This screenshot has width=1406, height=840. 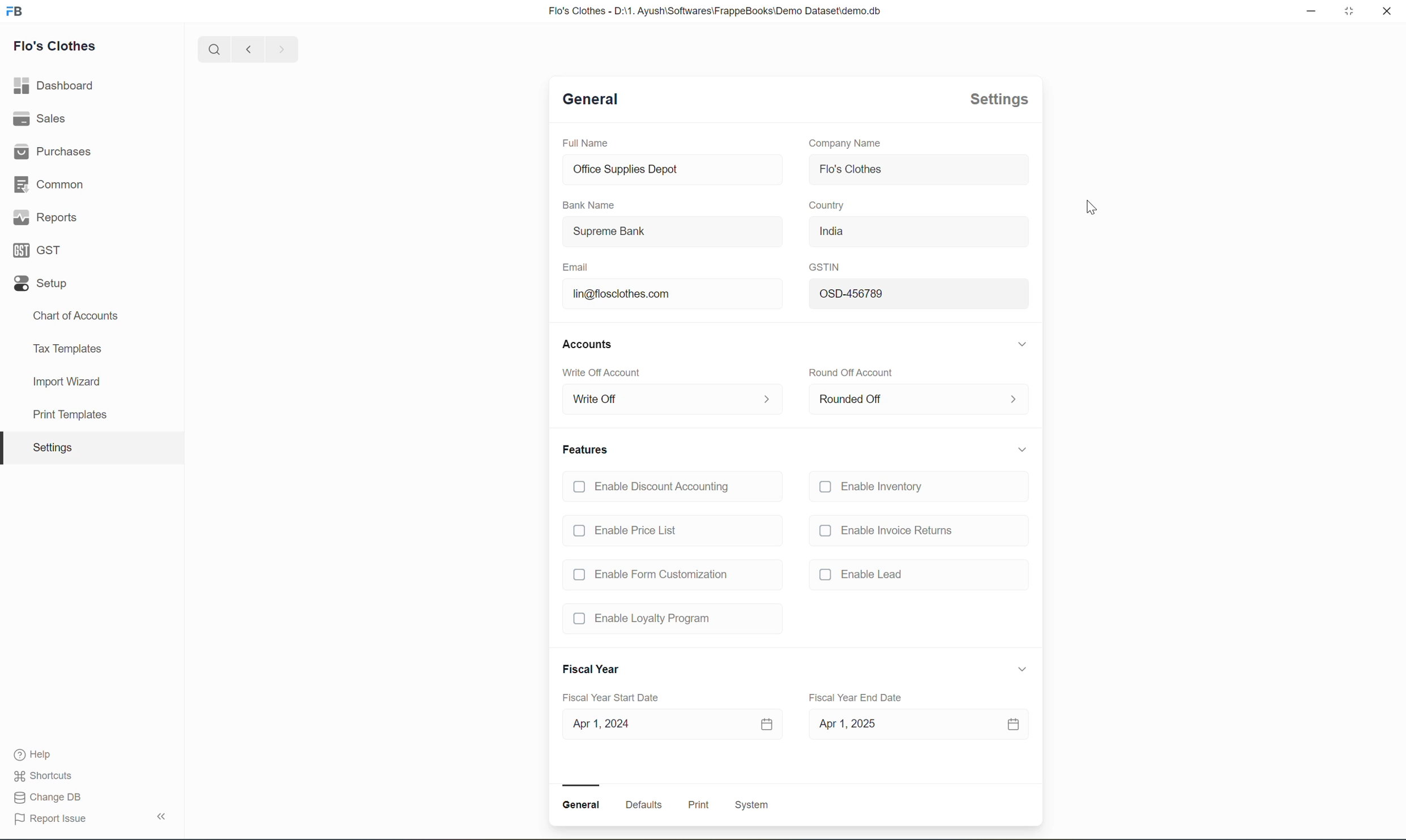 I want to click on General, so click(x=581, y=805).